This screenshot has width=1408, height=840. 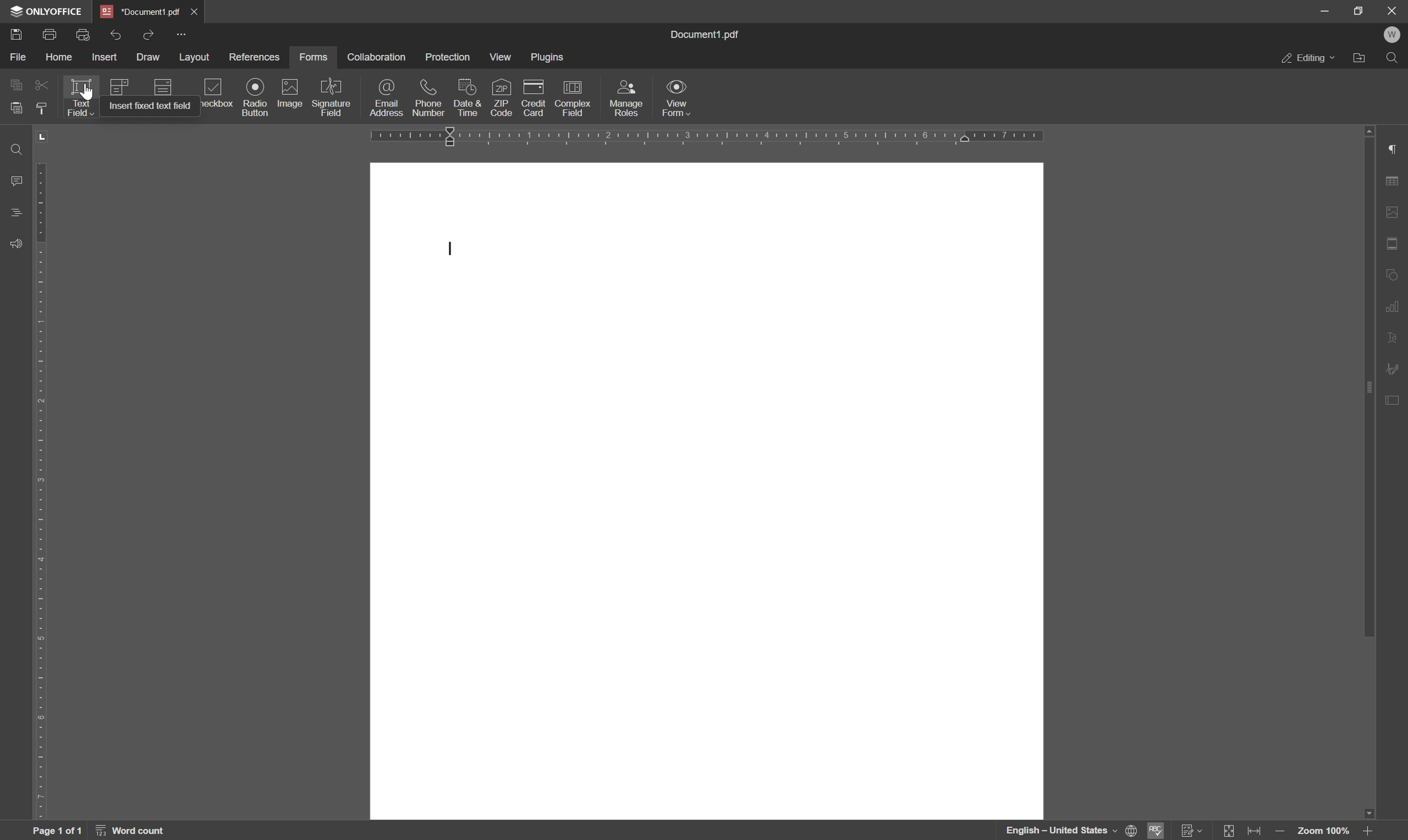 I want to click on complex field, so click(x=576, y=97).